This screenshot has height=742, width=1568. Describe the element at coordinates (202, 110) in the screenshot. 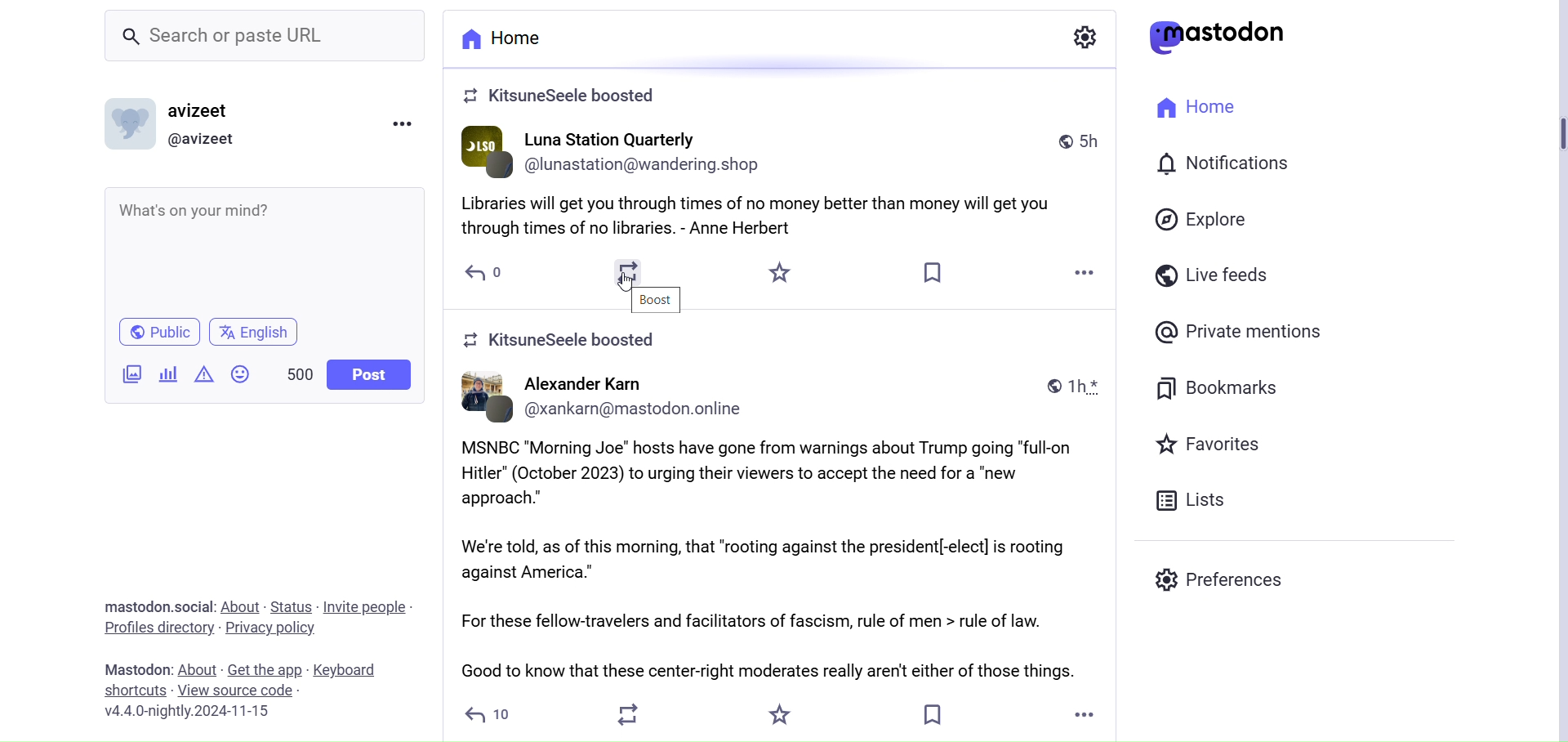

I see `username` at that location.